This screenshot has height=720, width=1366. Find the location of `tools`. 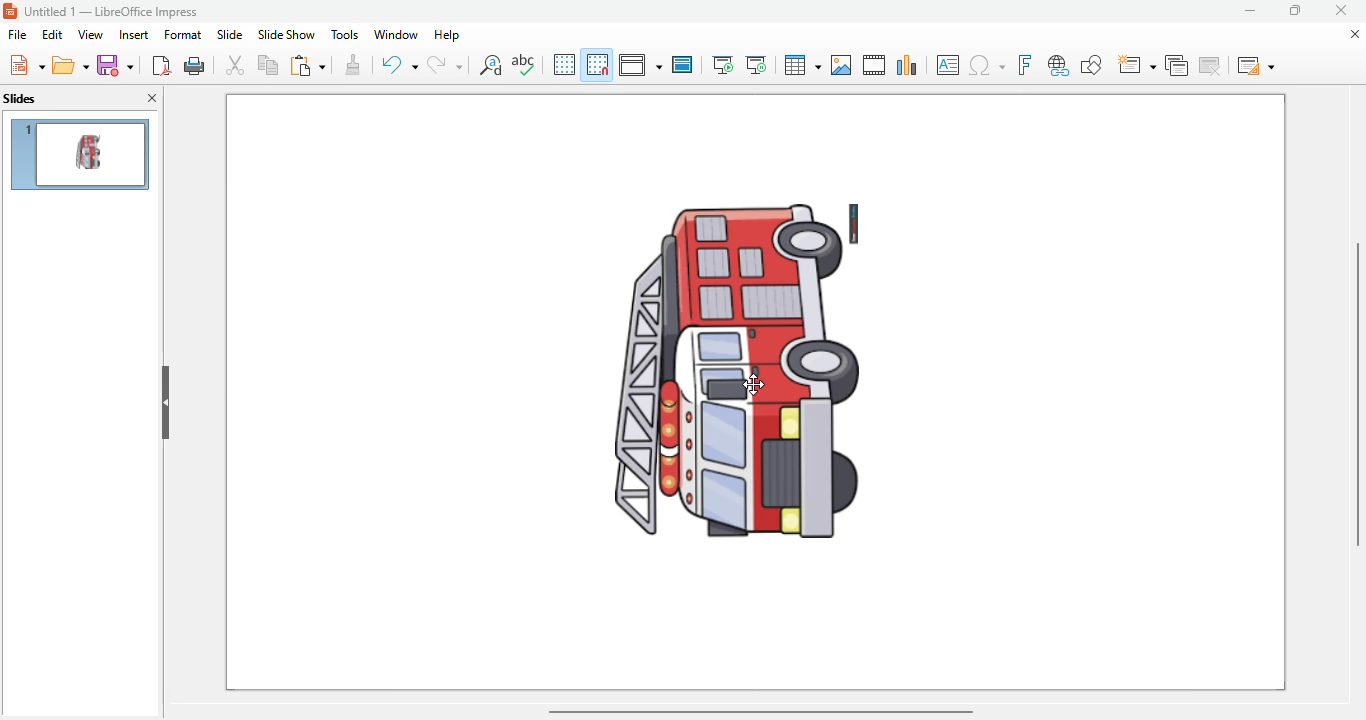

tools is located at coordinates (344, 34).